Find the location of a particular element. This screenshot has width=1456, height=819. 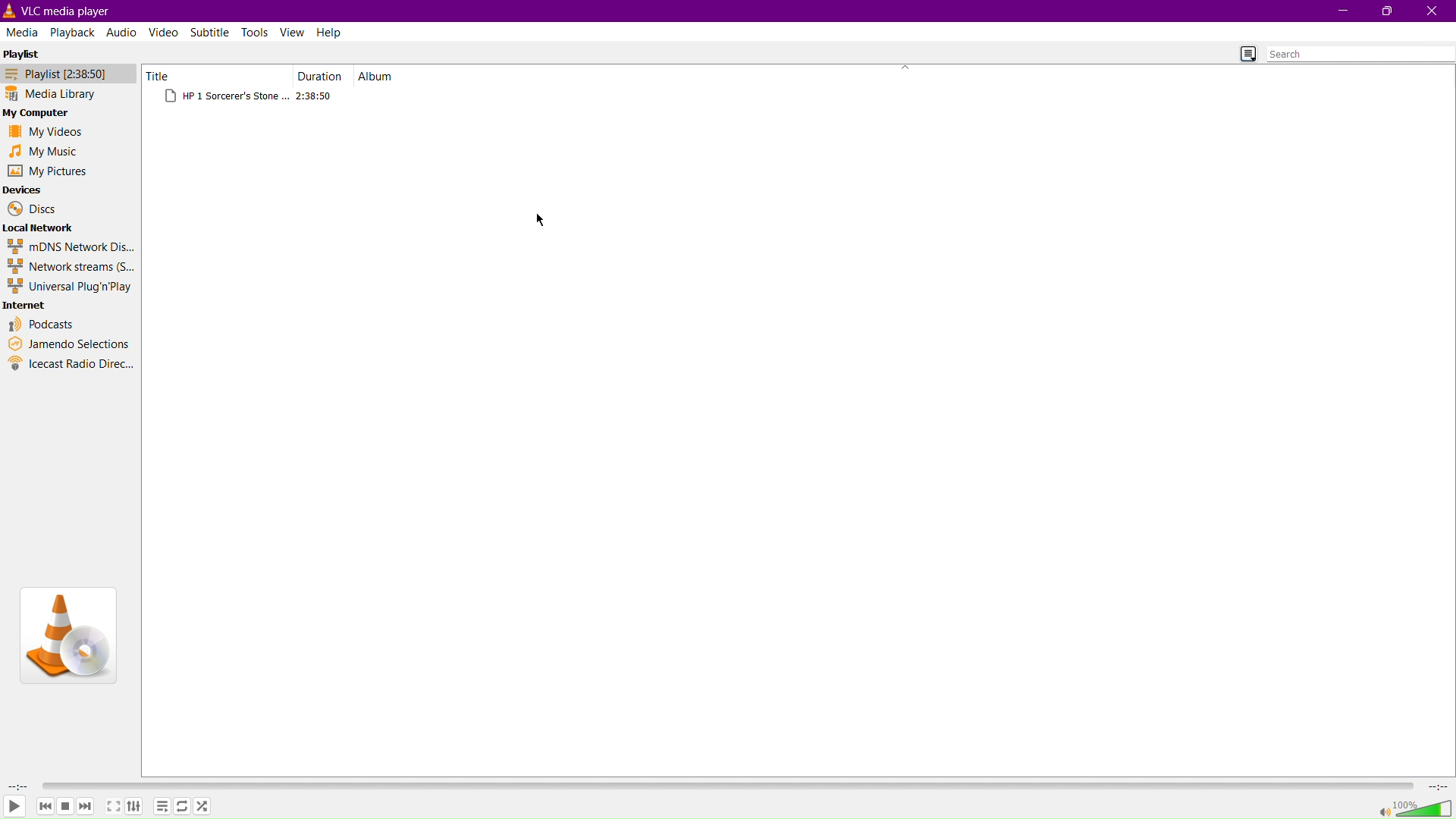

Help is located at coordinates (331, 32).